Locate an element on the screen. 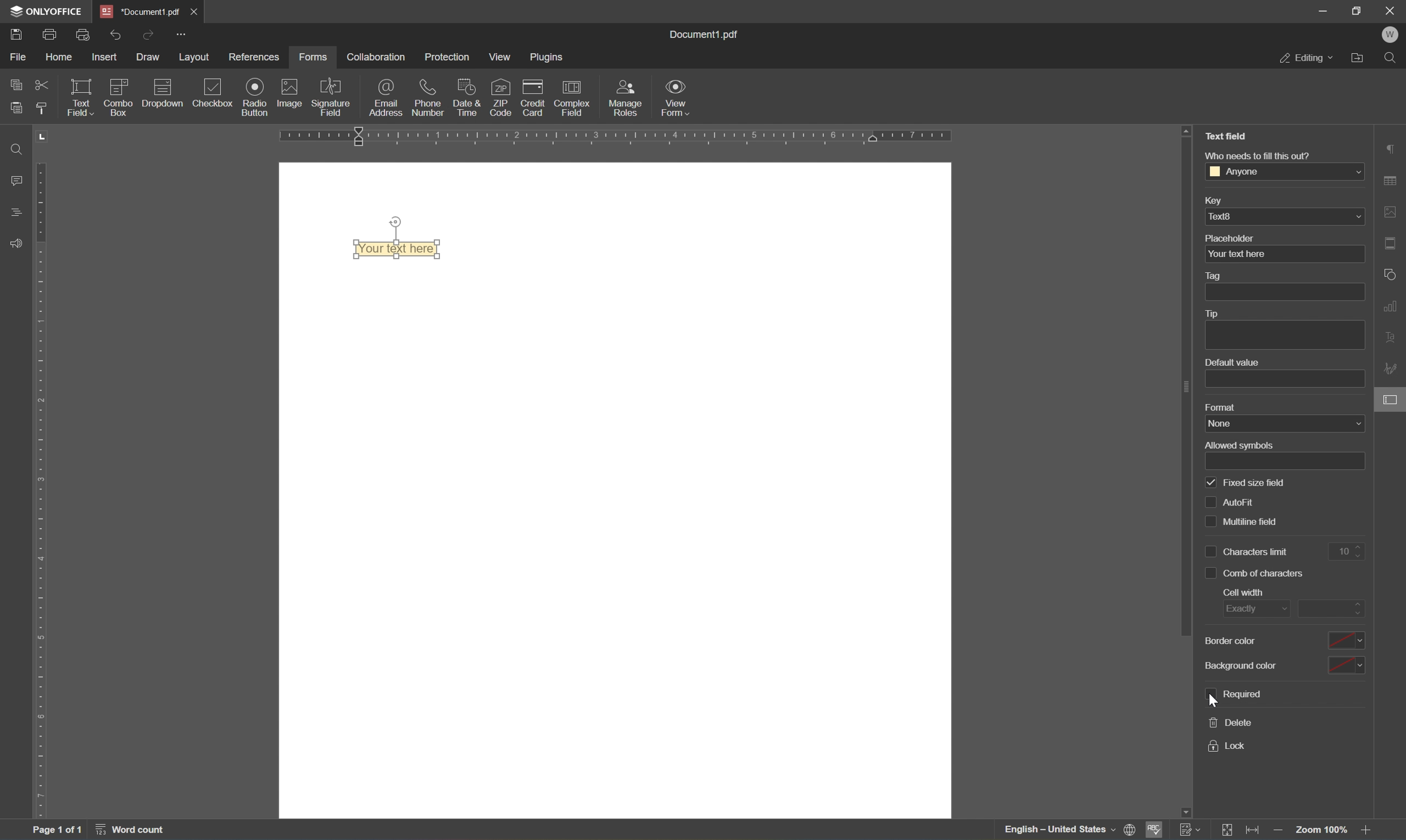 The height and width of the screenshot is (840, 1406). header and footer settings is located at coordinates (1391, 243).